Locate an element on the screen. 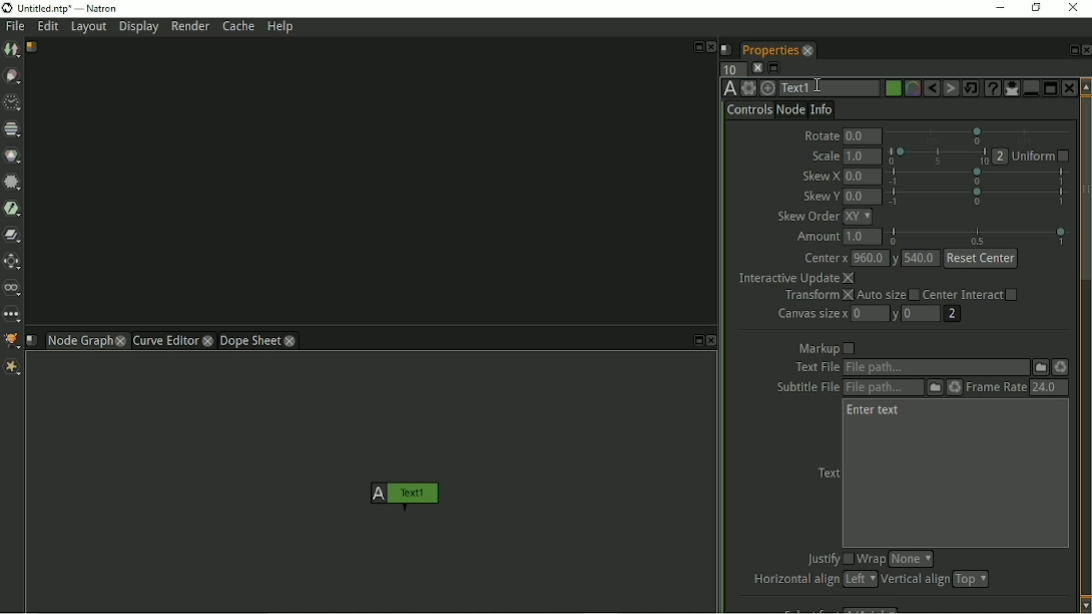 The image size is (1092, 614). Skew Order is located at coordinates (807, 216).